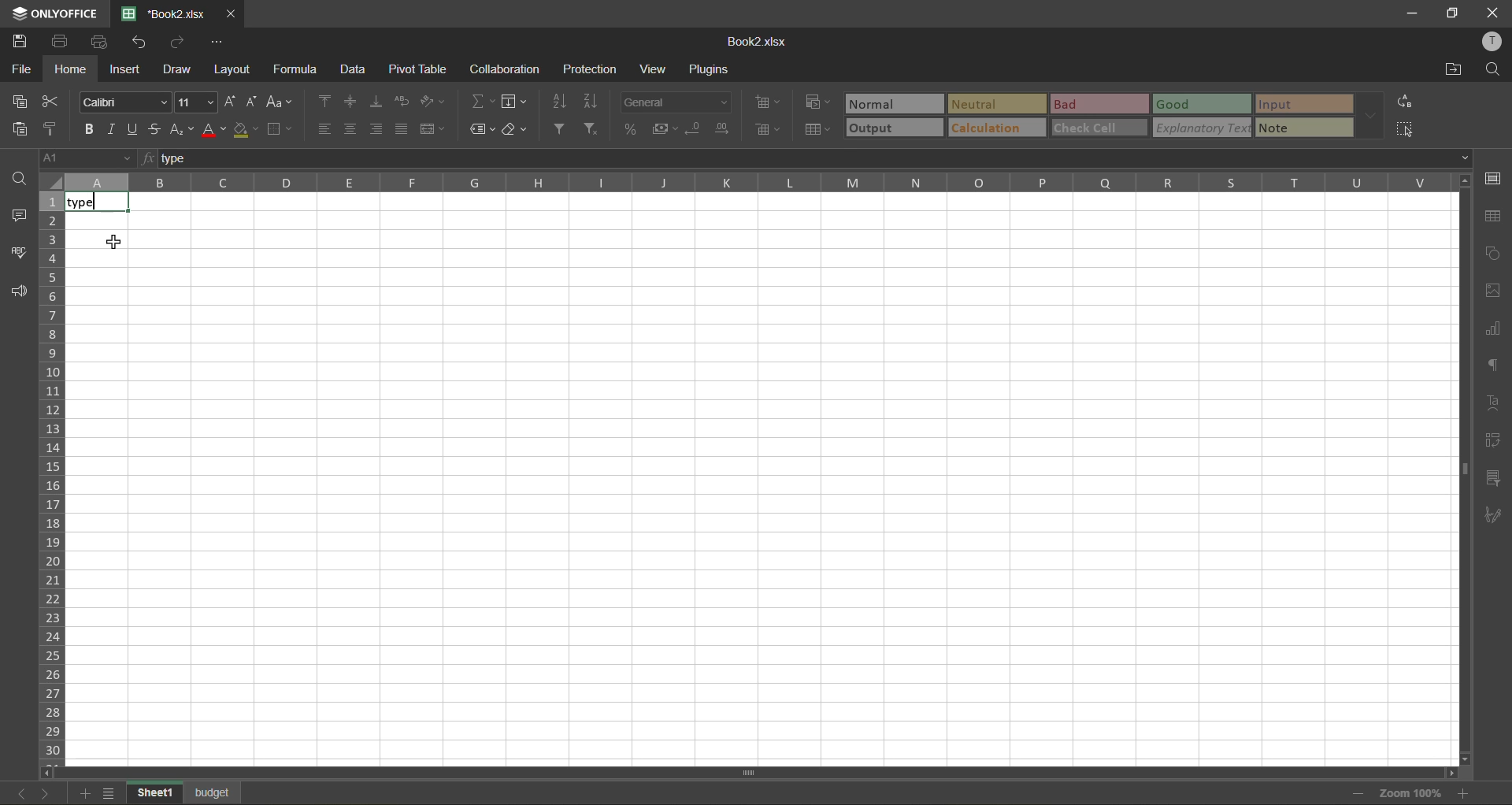 This screenshot has width=1512, height=805. Describe the element at coordinates (128, 69) in the screenshot. I see `insert` at that location.